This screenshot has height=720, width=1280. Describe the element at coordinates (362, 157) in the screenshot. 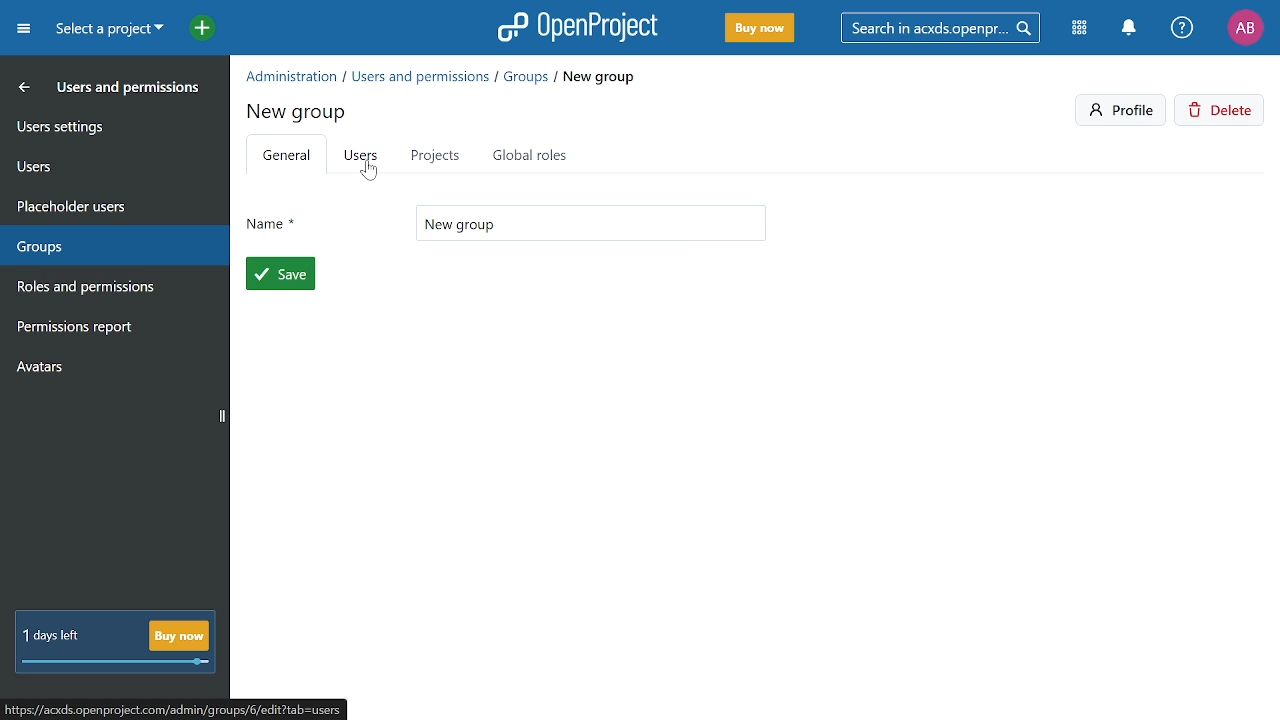

I see `Users` at that location.